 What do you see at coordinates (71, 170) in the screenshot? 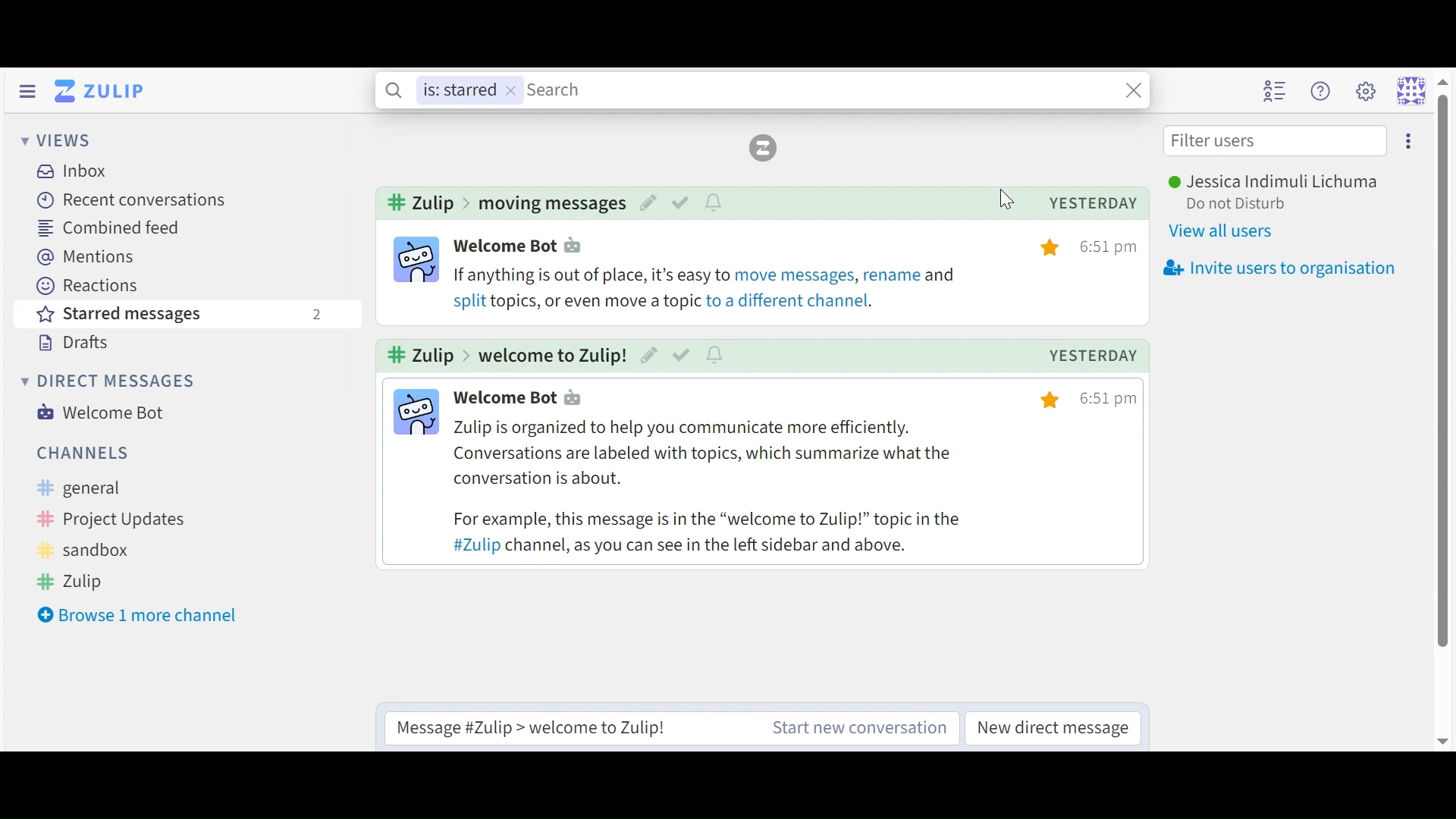
I see `Inbox` at bounding box center [71, 170].